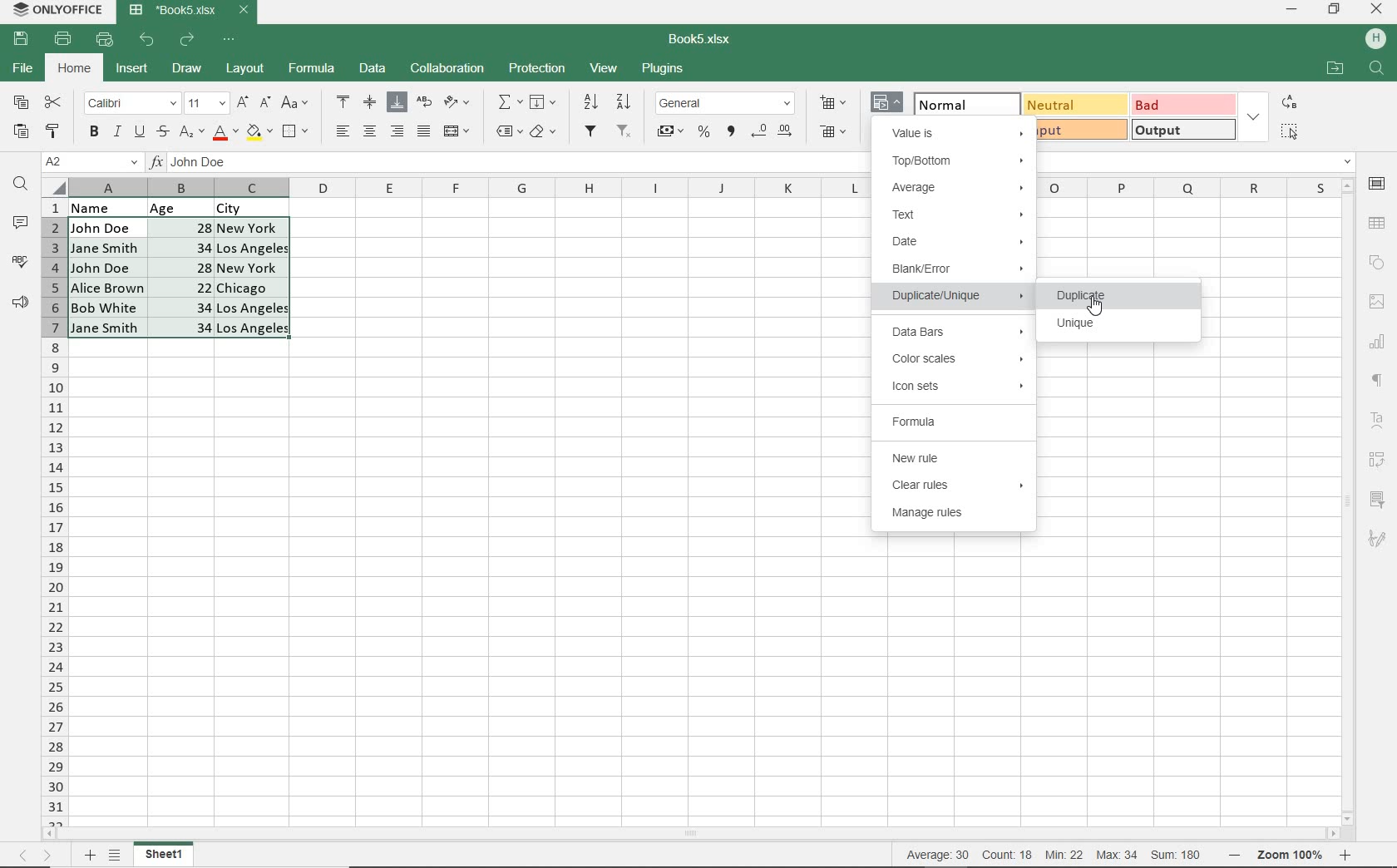 The height and width of the screenshot is (868, 1397). I want to click on ITALIC, so click(116, 131).